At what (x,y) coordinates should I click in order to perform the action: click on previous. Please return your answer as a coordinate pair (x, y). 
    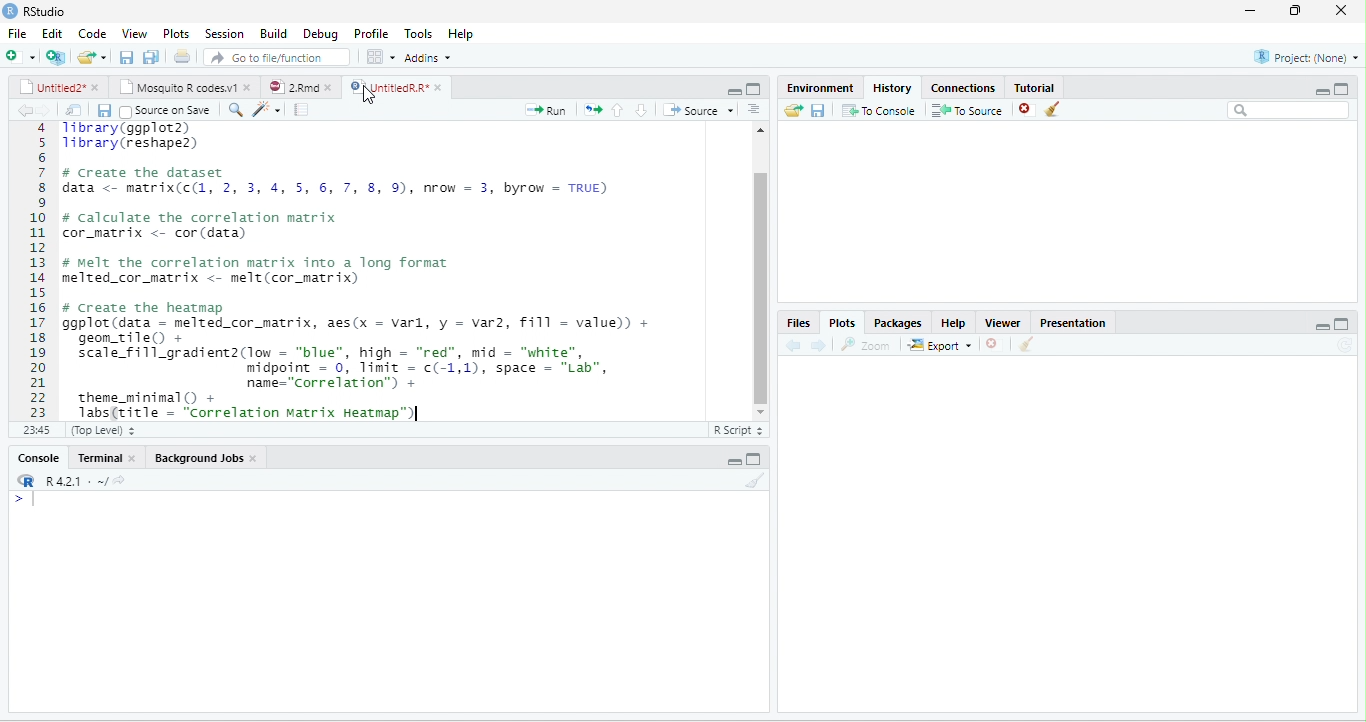
    Looking at the image, I should click on (615, 108).